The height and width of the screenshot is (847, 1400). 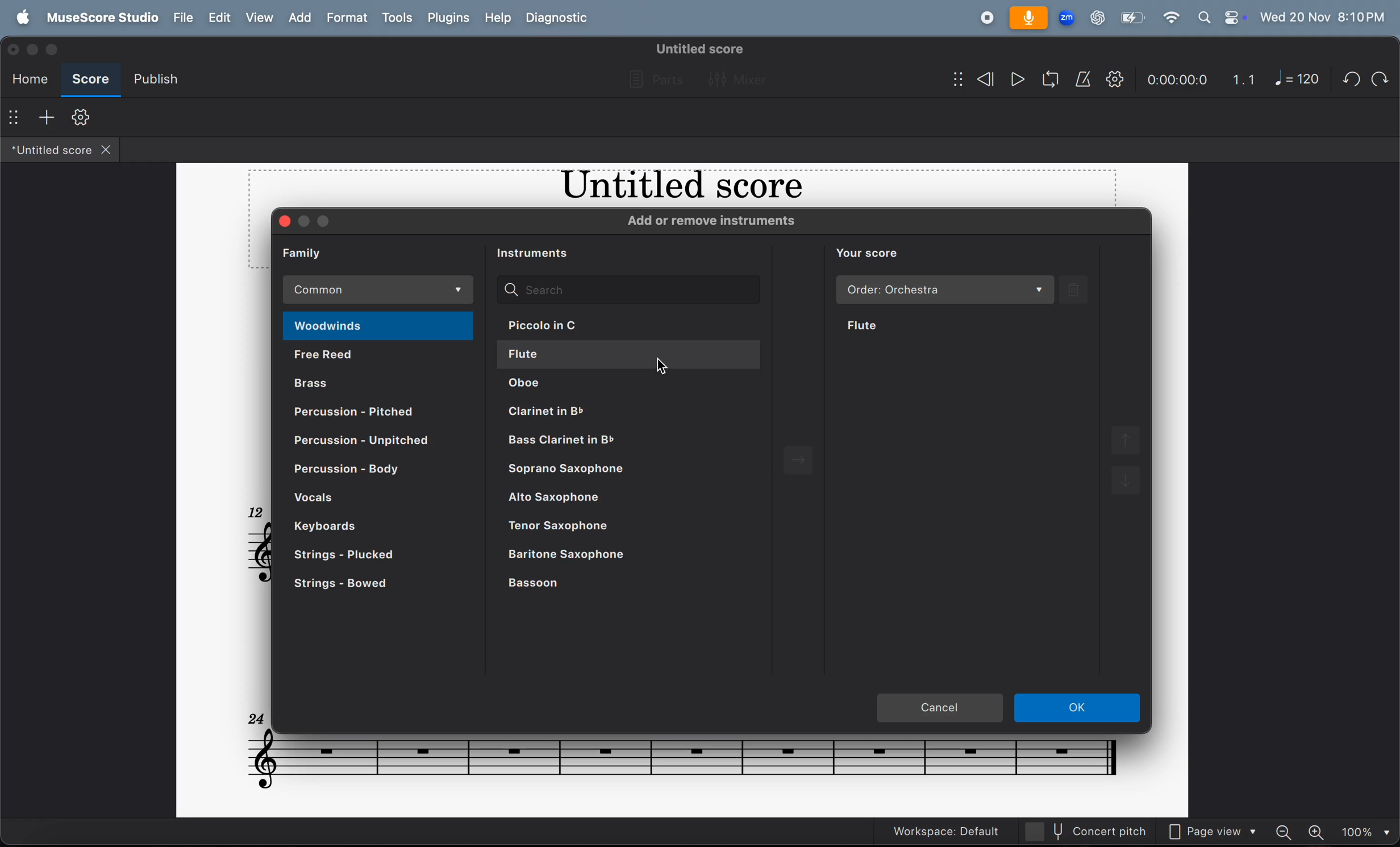 I want to click on workspace: default, so click(x=942, y=829).